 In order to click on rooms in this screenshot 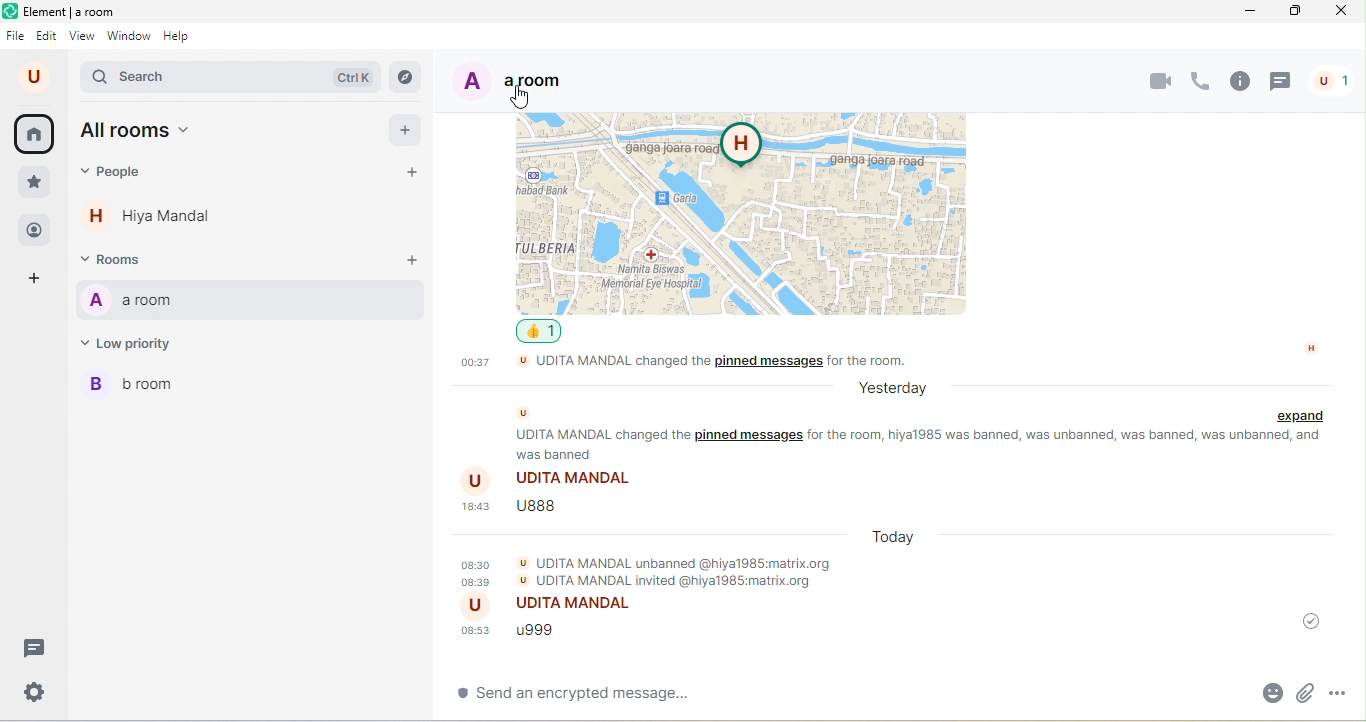, I will do `click(120, 261)`.